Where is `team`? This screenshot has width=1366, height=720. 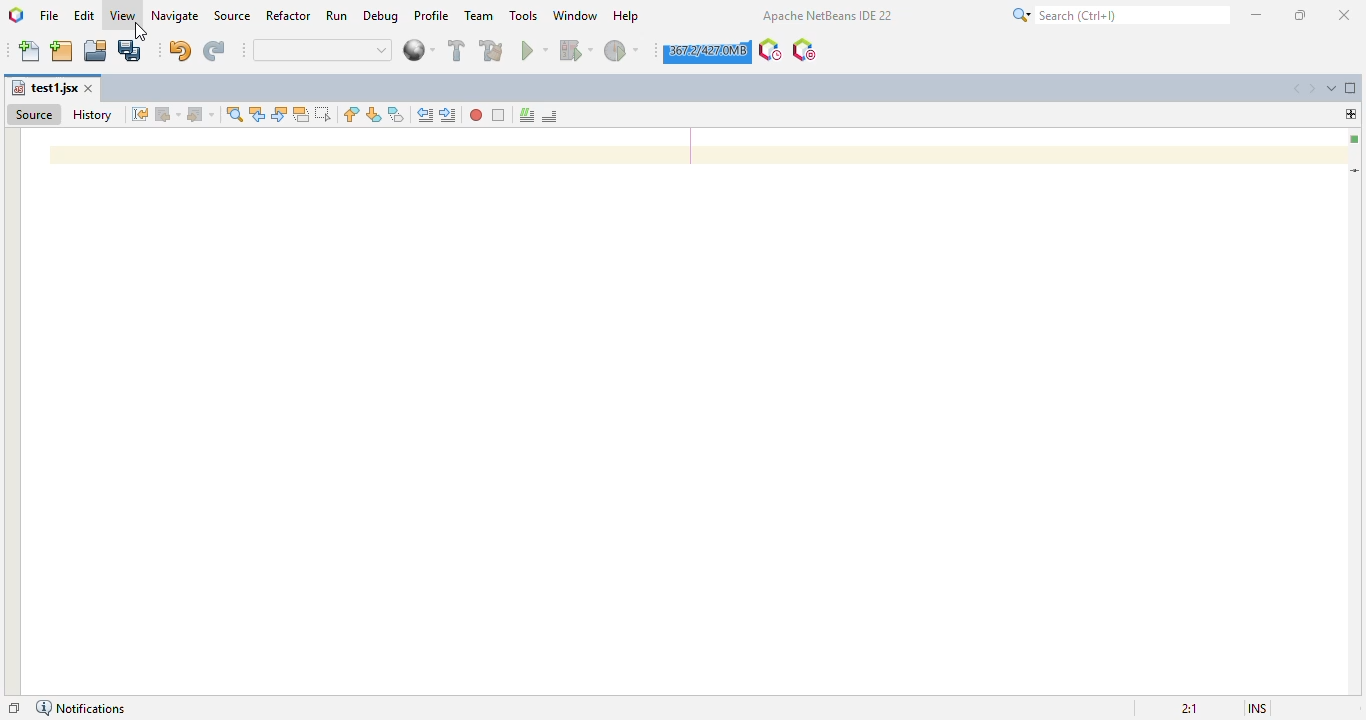 team is located at coordinates (480, 15).